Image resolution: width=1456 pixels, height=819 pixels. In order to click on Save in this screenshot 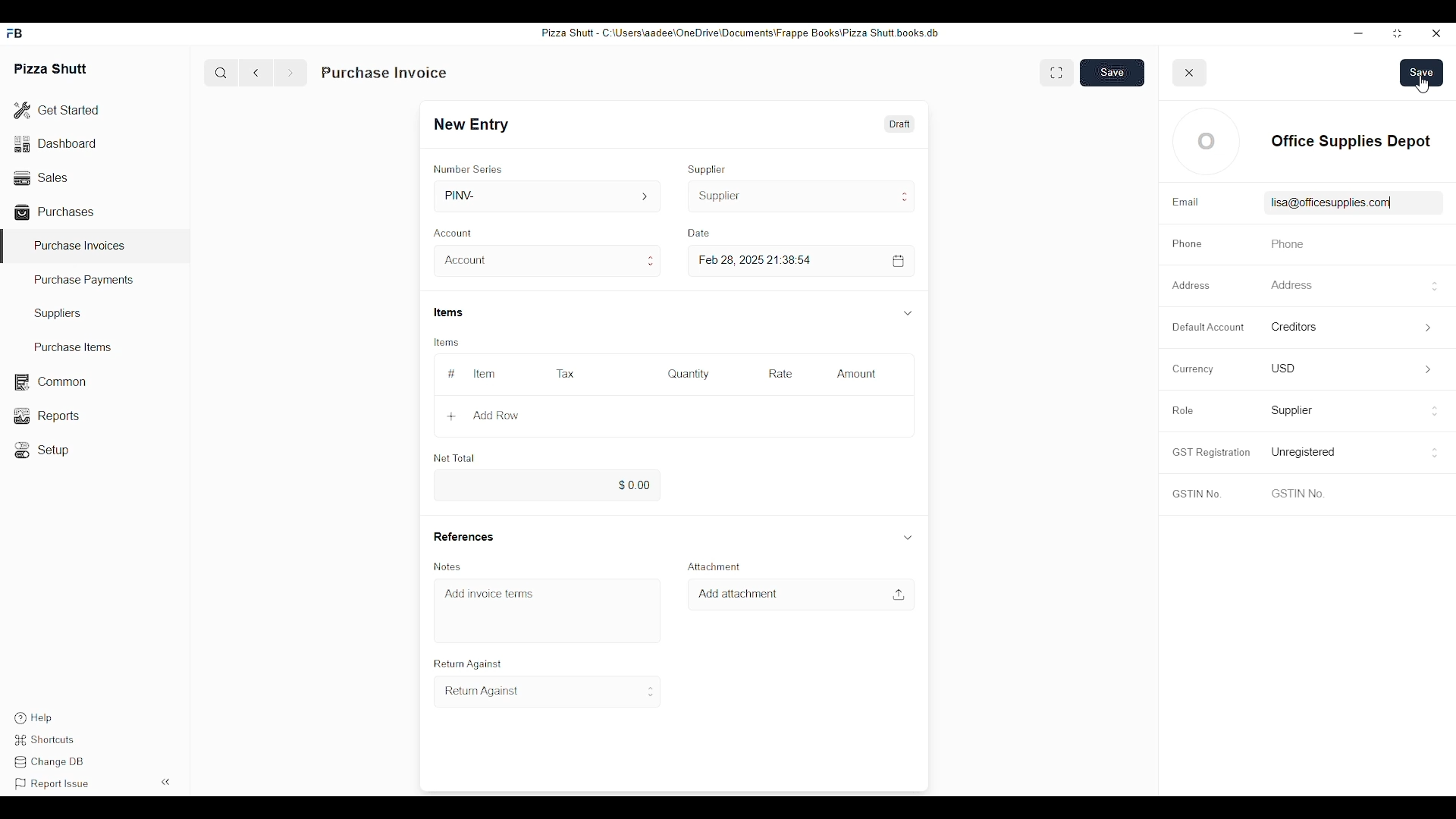, I will do `click(1422, 73)`.